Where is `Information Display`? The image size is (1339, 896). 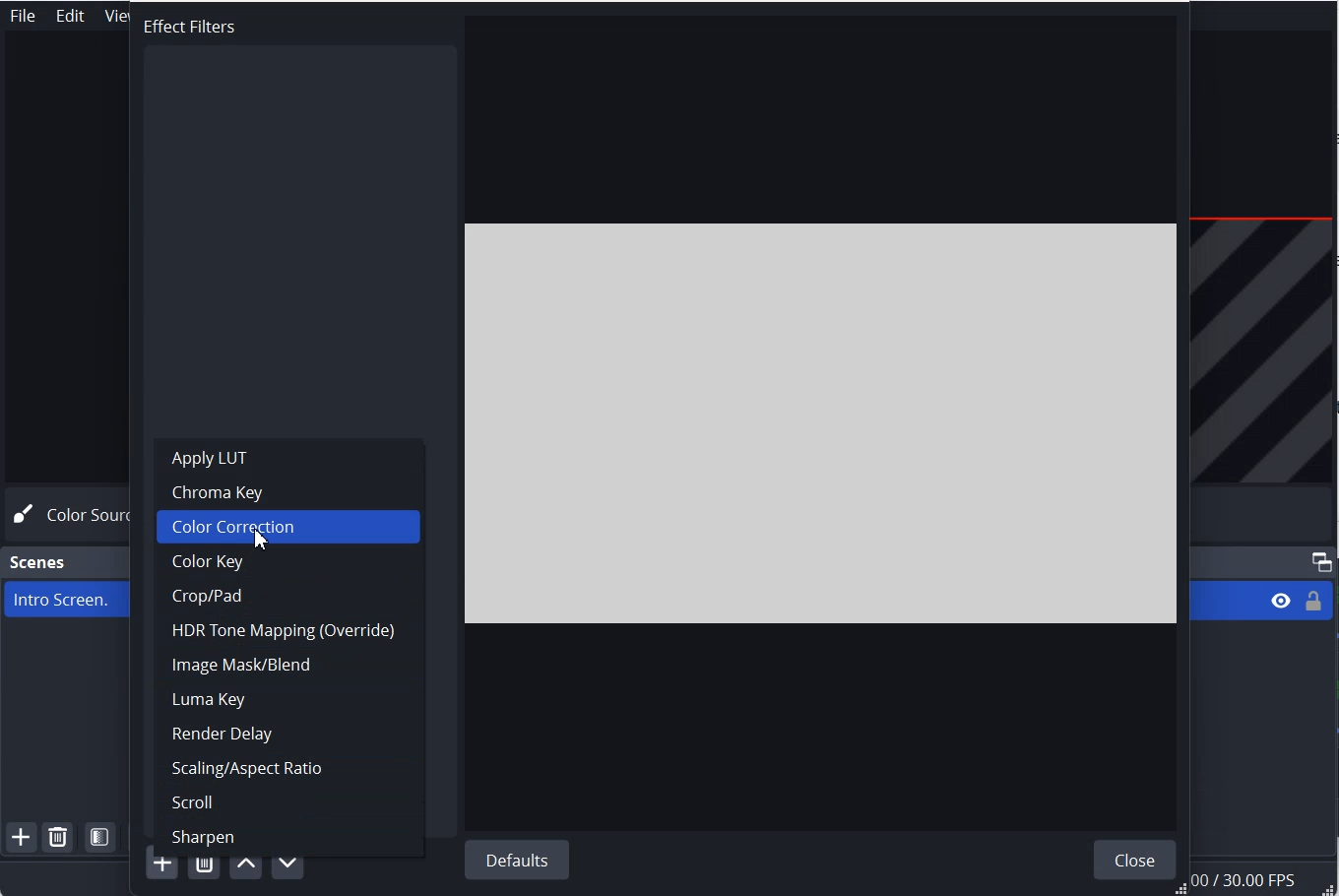 Information Display is located at coordinates (1266, 878).